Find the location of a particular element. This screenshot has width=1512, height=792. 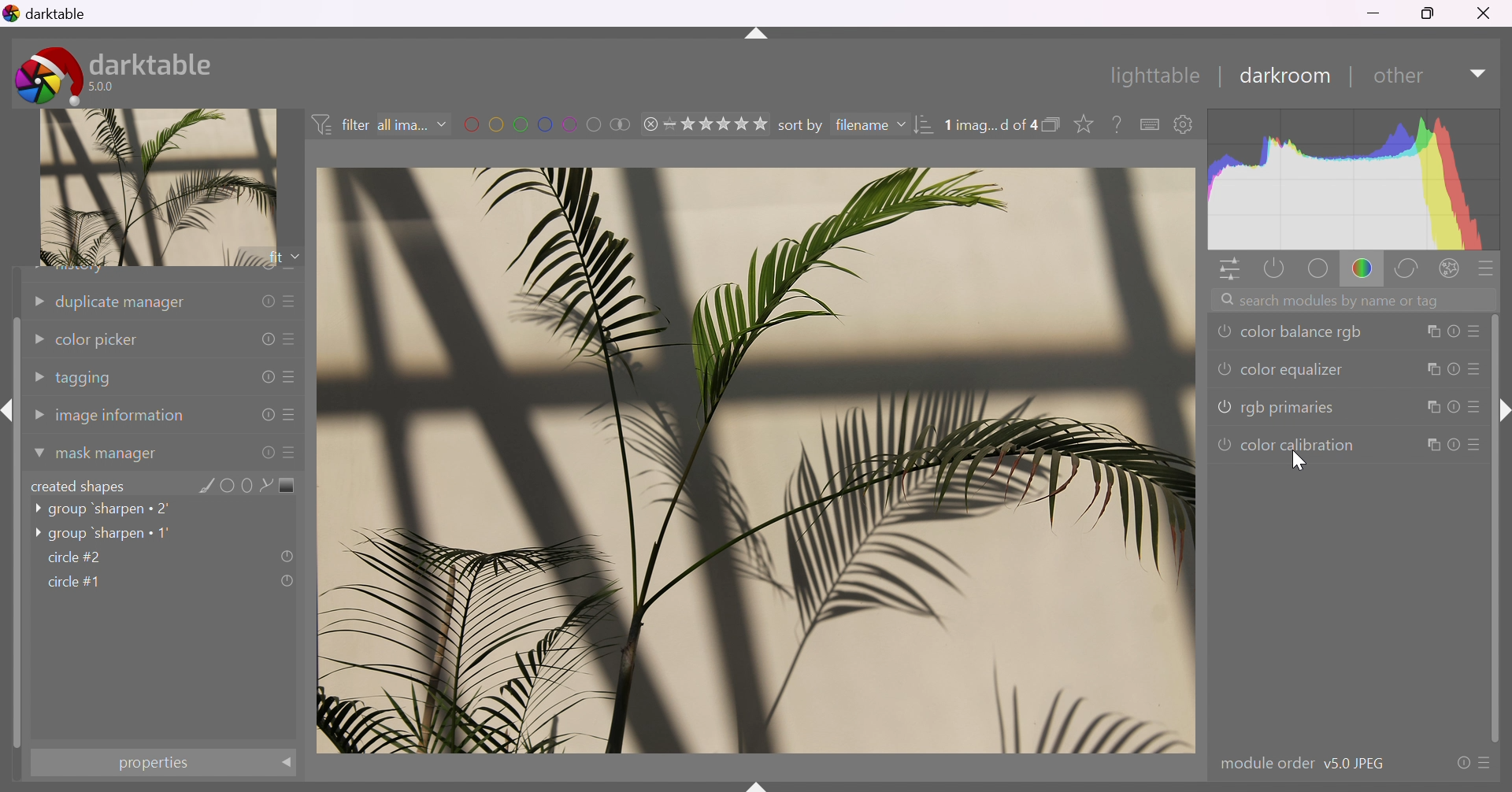

presets is located at coordinates (1487, 270).